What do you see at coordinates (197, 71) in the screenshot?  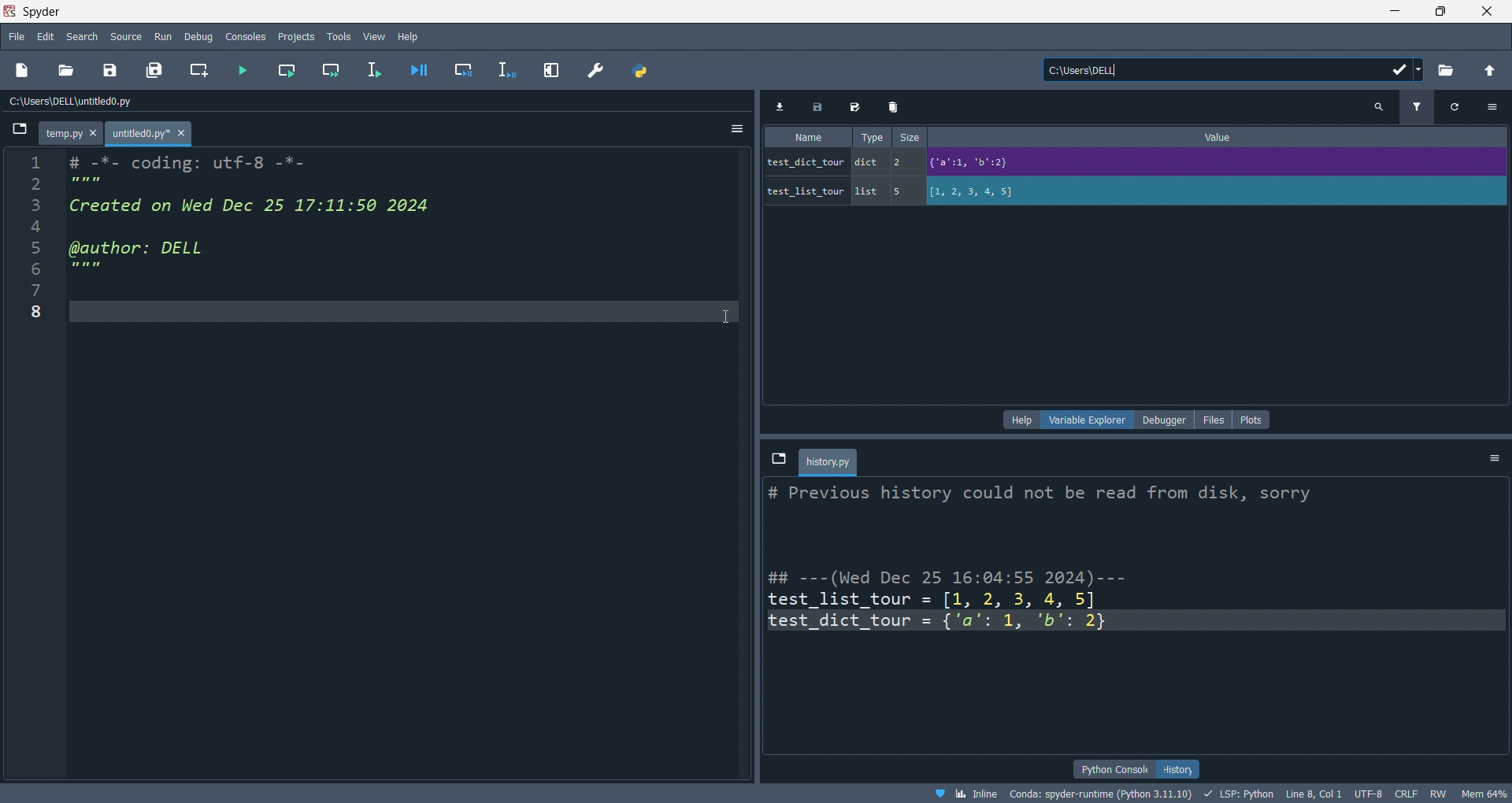 I see `new cell` at bounding box center [197, 71].